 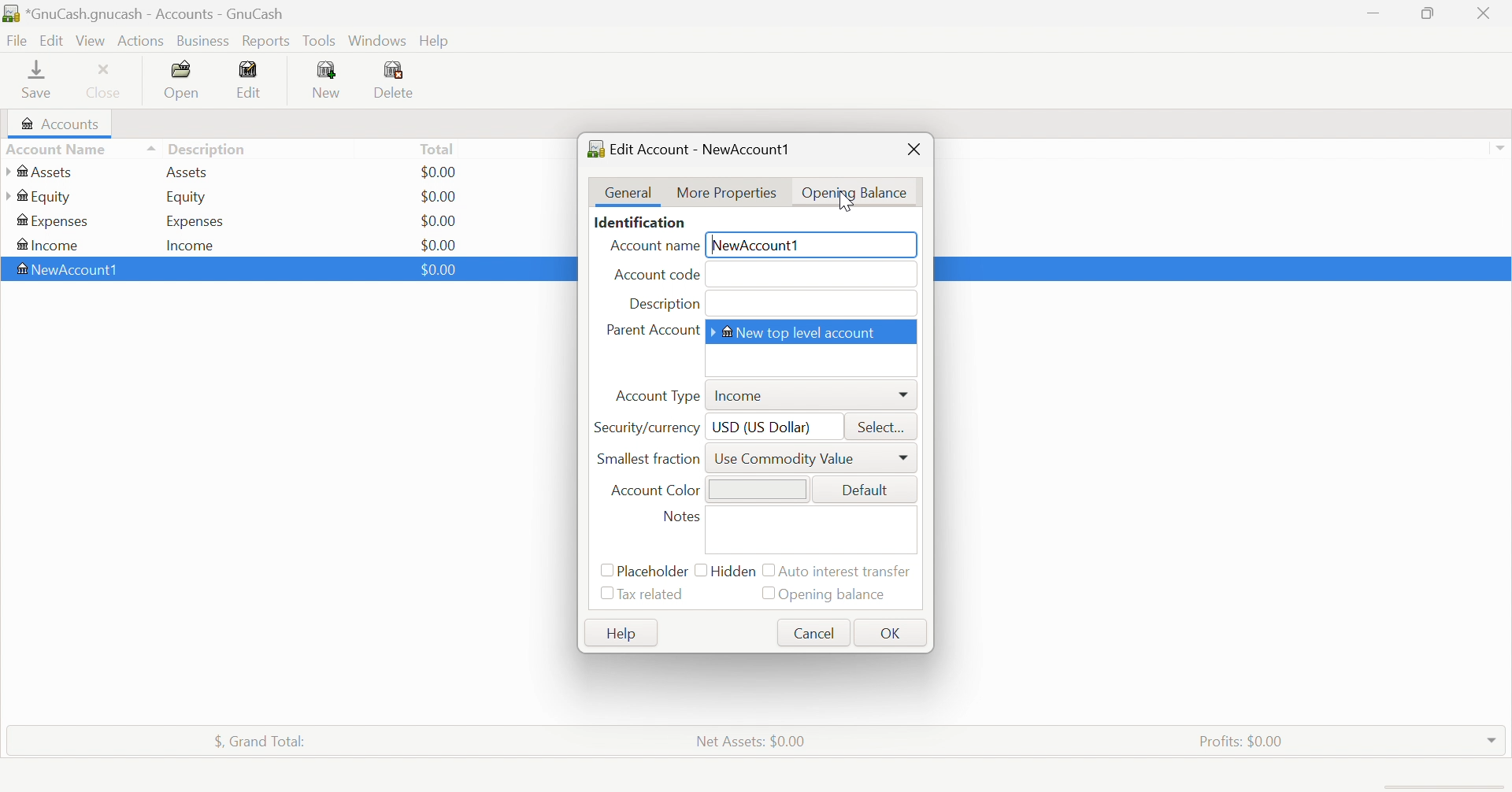 I want to click on $0.00, so click(x=437, y=270).